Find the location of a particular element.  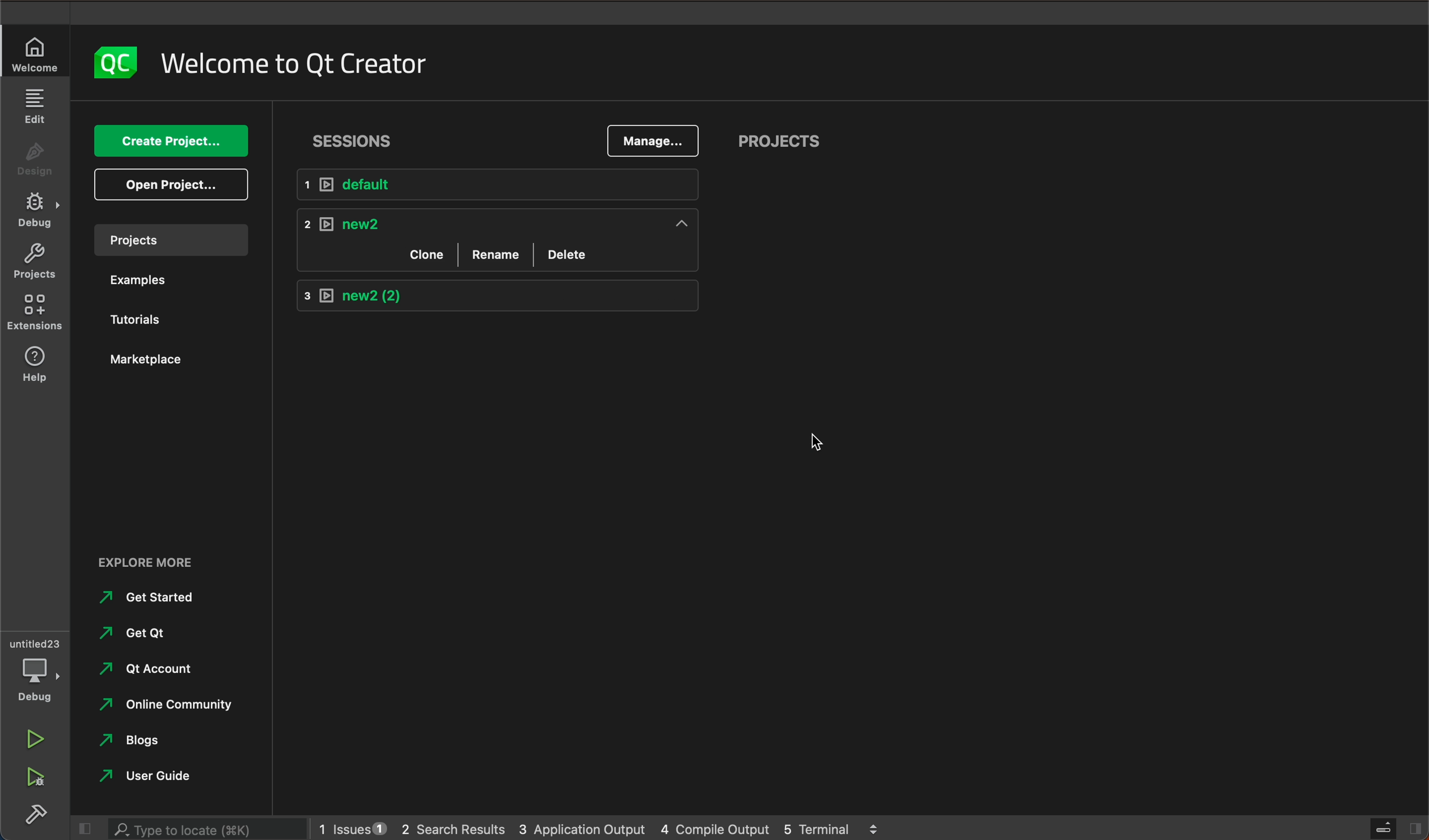

marketplace is located at coordinates (144, 359).